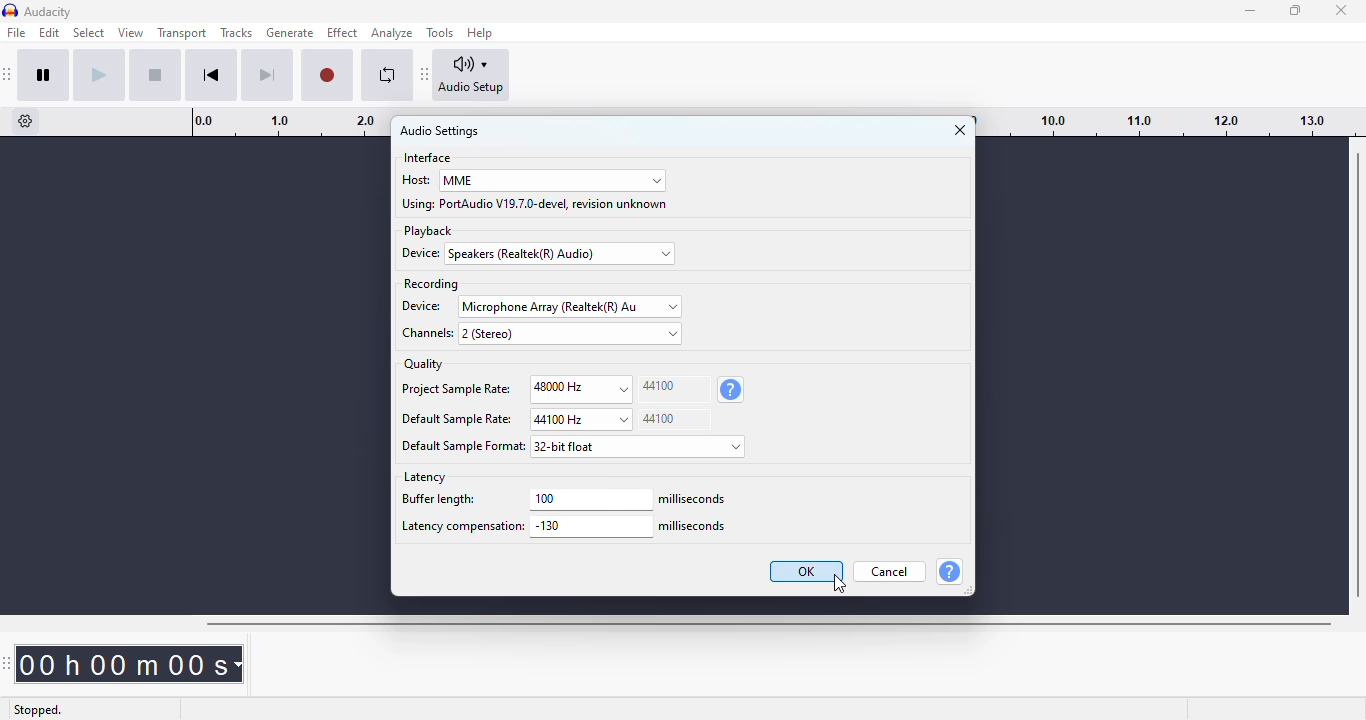  What do you see at coordinates (49, 32) in the screenshot?
I see `edit` at bounding box center [49, 32].